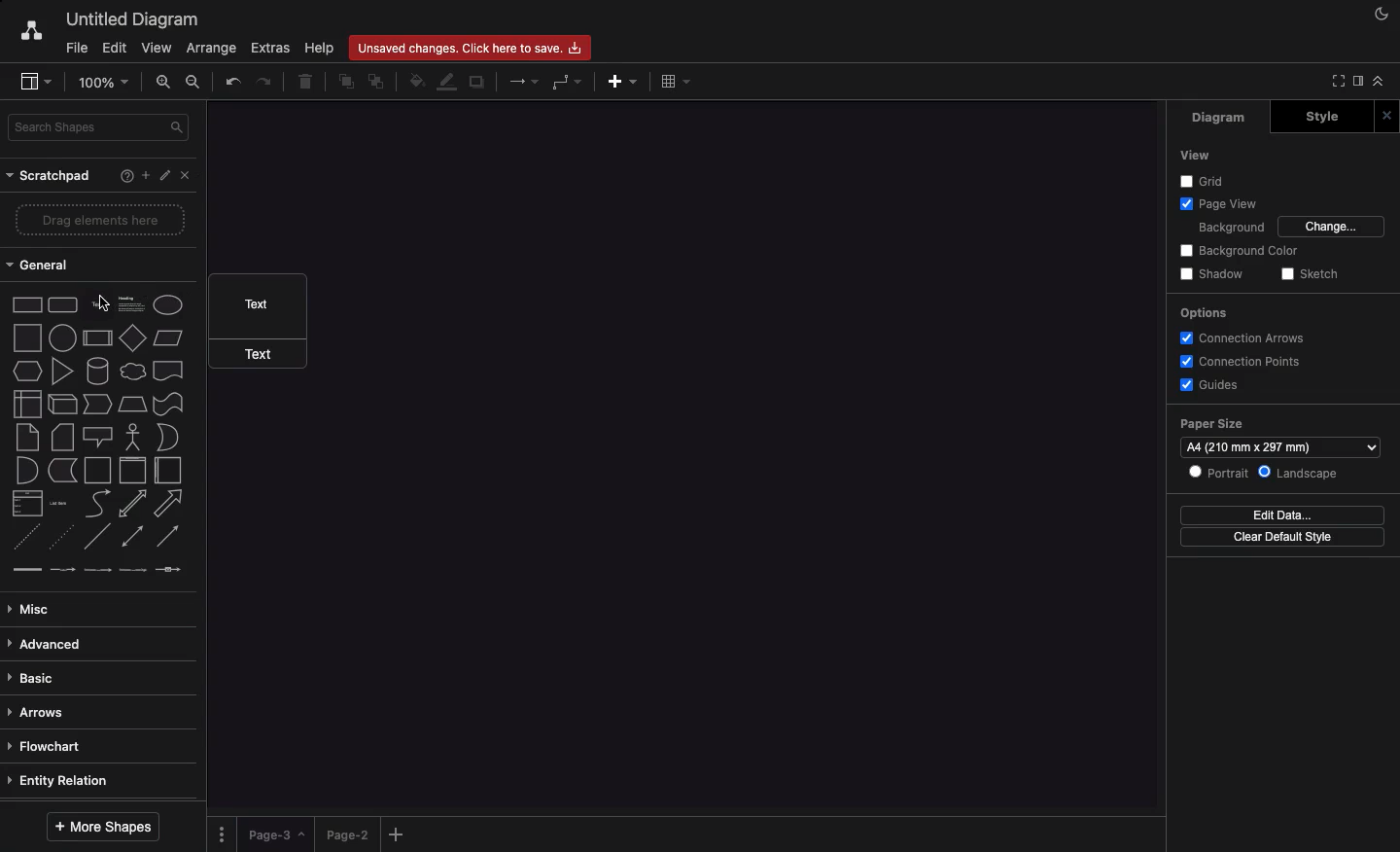 Image resolution: width=1400 pixels, height=852 pixels. Describe the element at coordinates (168, 404) in the screenshot. I see `tape` at that location.